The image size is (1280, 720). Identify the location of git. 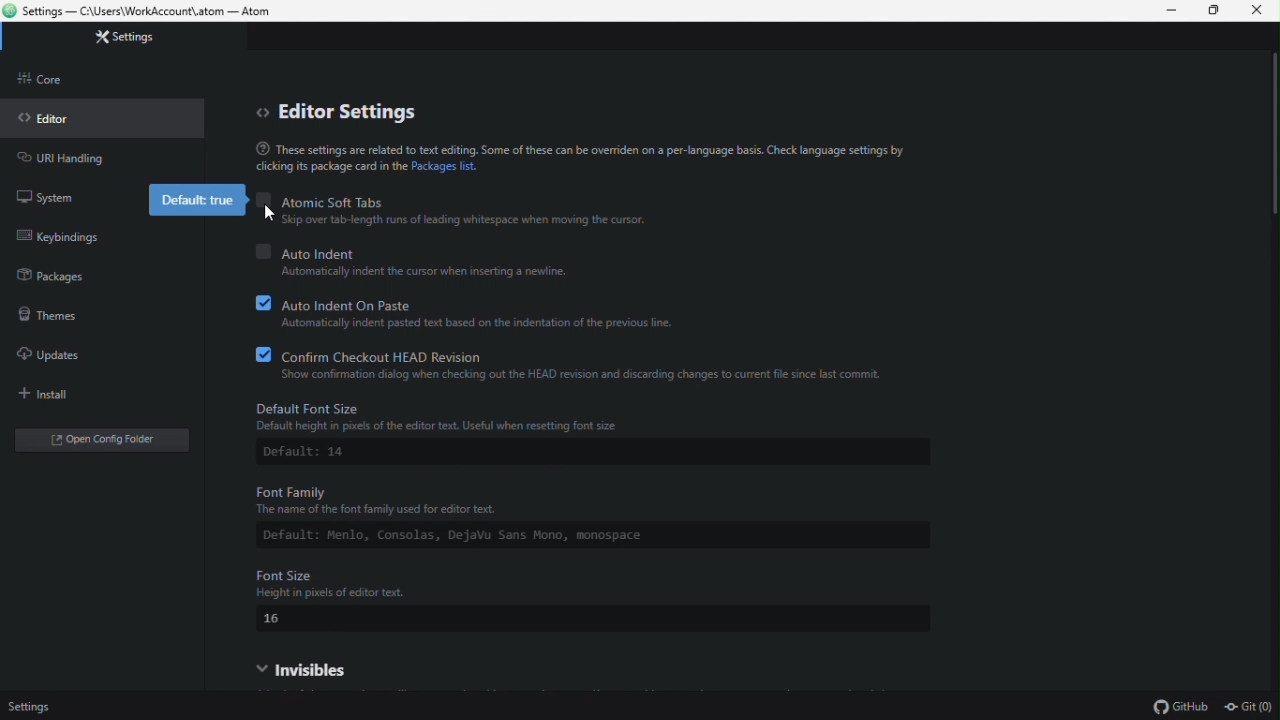
(1250, 704).